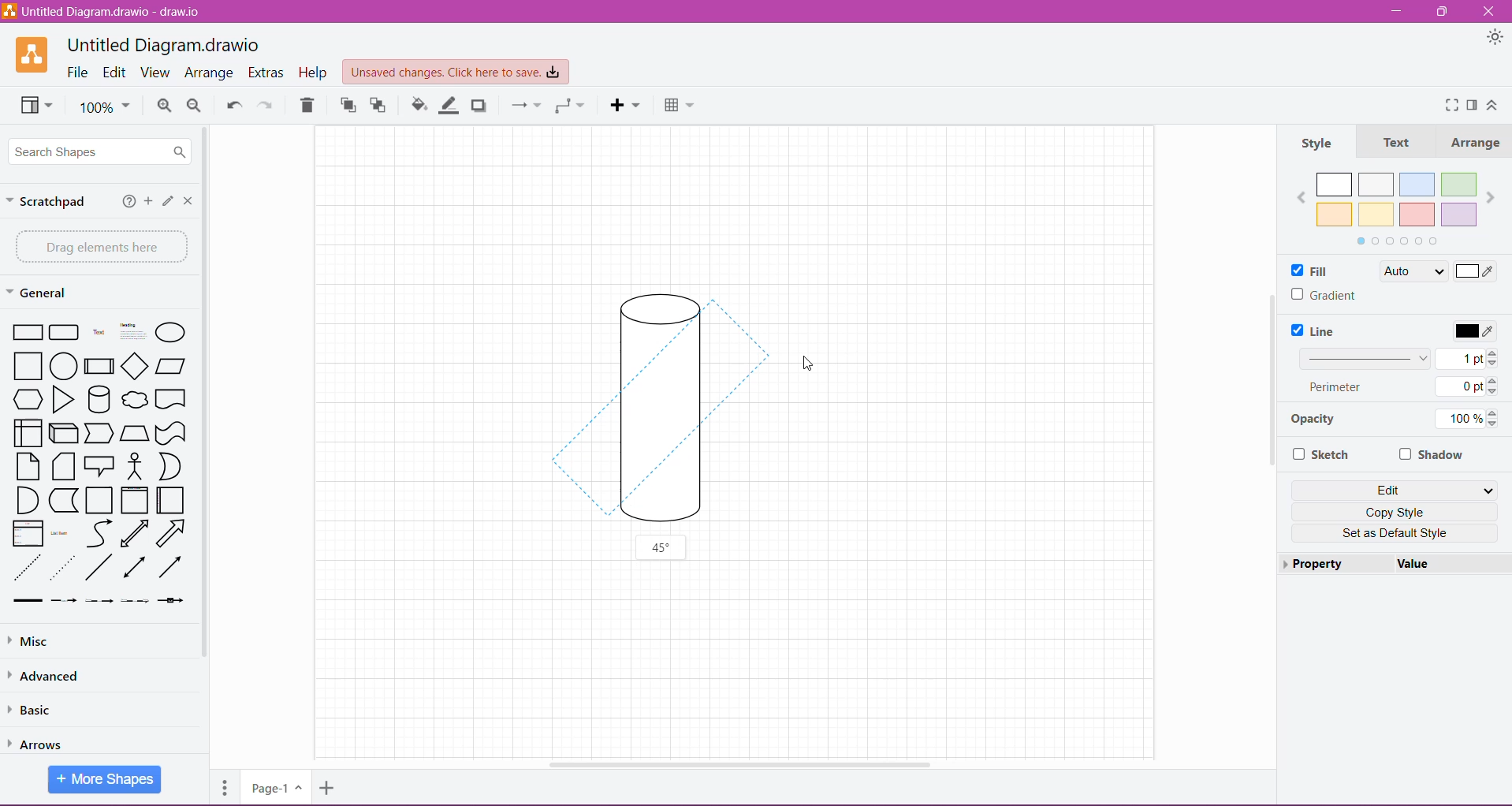 The height and width of the screenshot is (806, 1512). I want to click on Horizontal Scroll Bar, so click(744, 765).